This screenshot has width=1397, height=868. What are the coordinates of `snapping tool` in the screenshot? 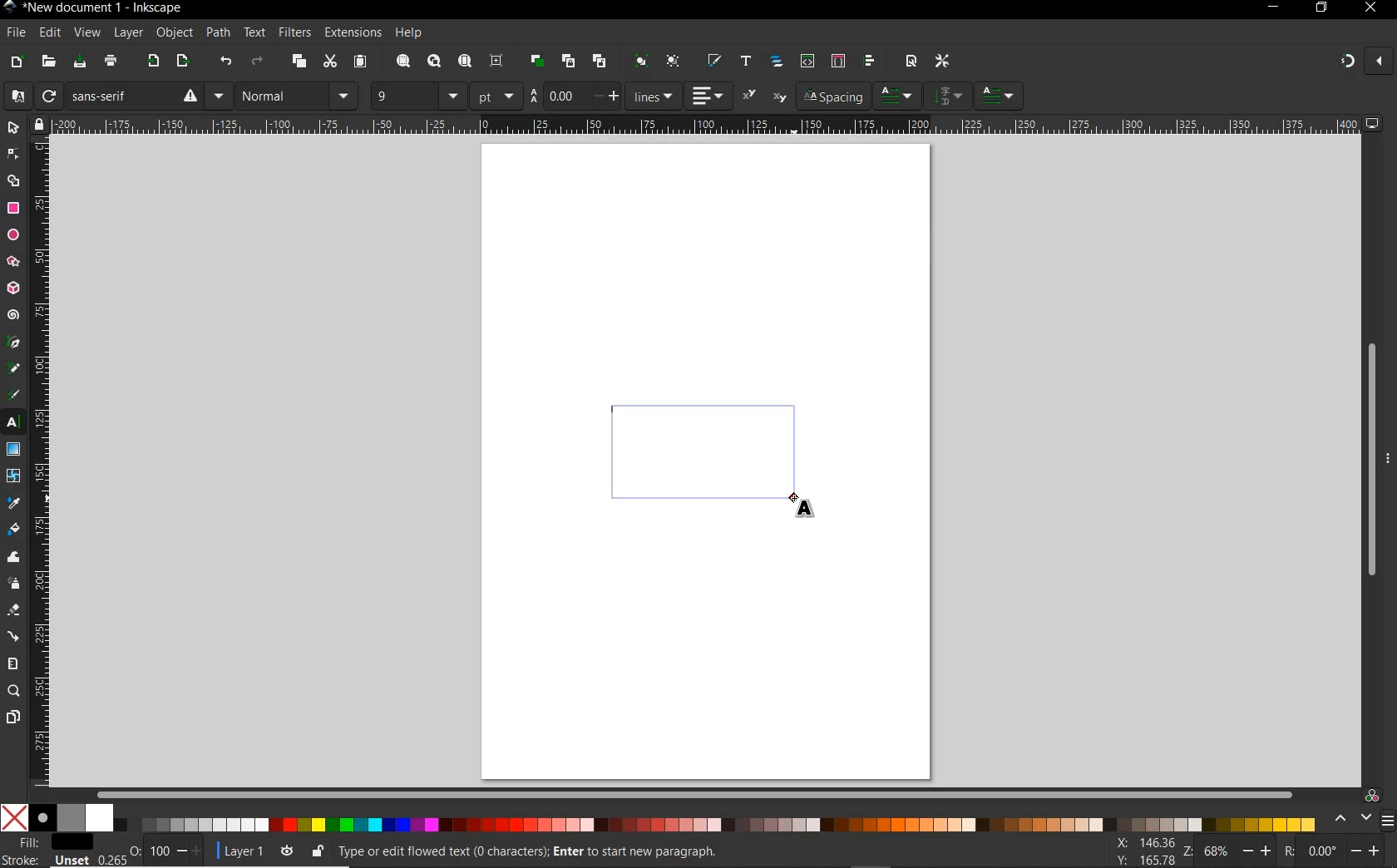 It's located at (1345, 62).